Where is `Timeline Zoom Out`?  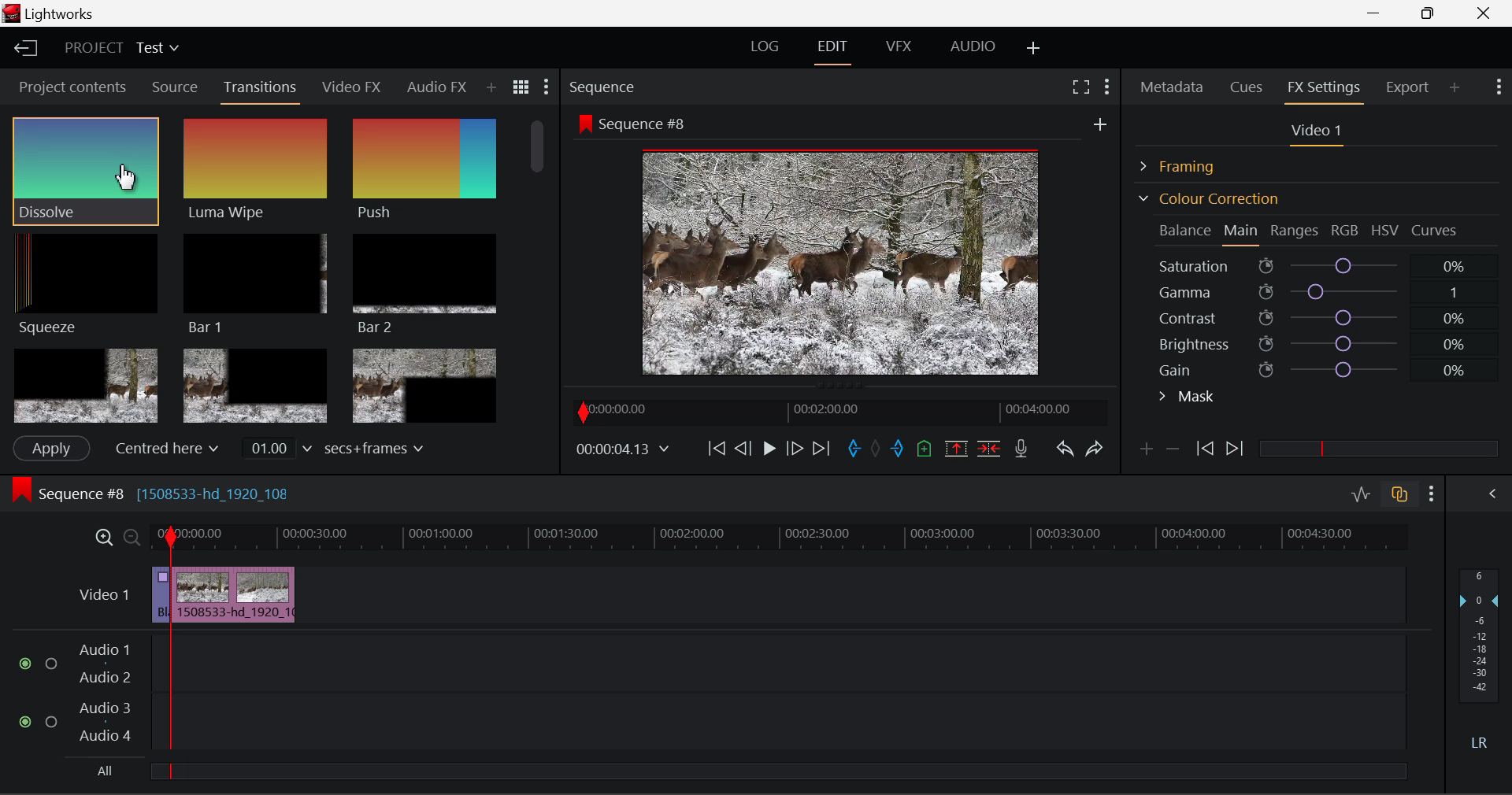 Timeline Zoom Out is located at coordinates (131, 537).